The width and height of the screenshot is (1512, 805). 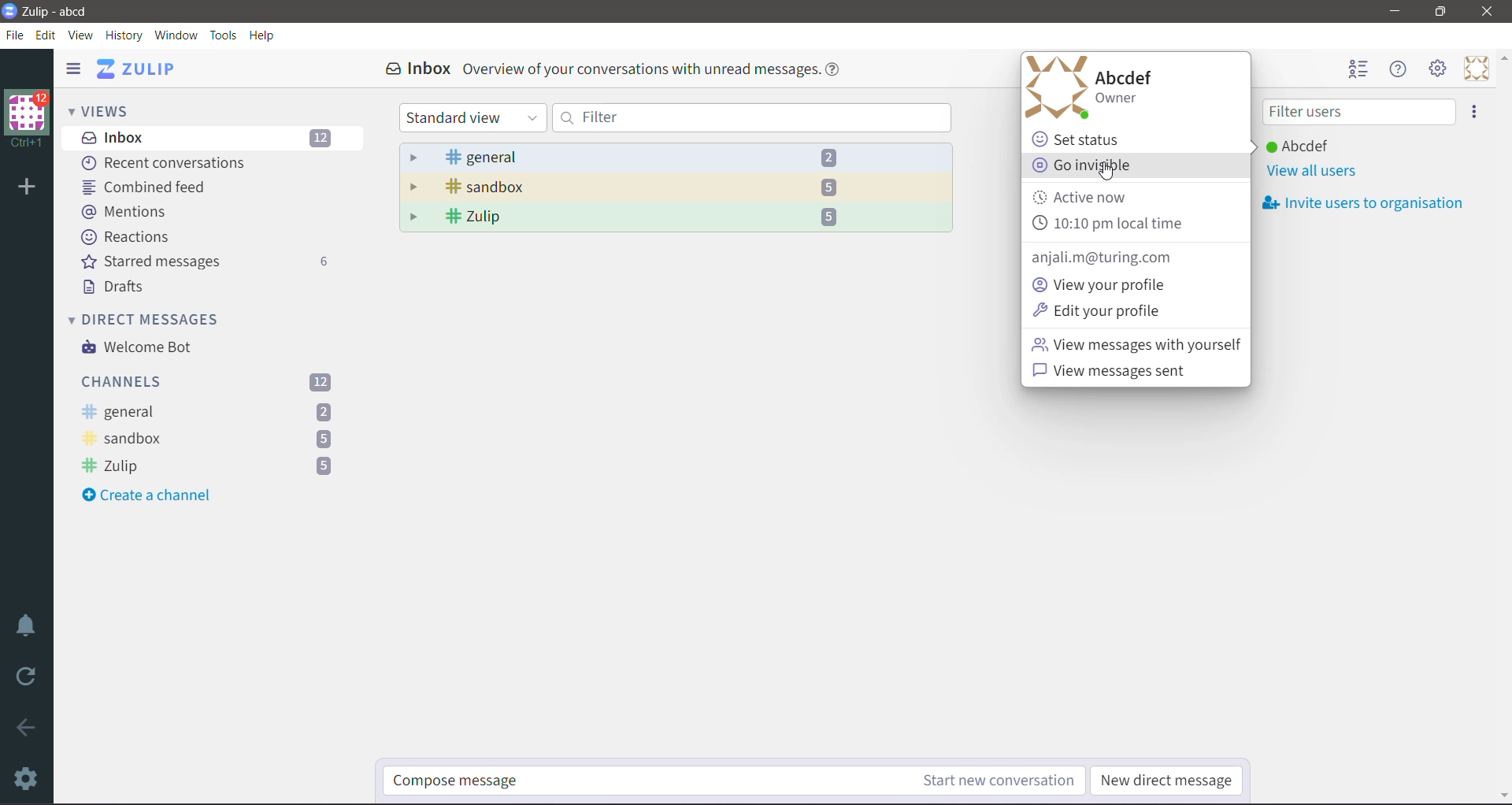 What do you see at coordinates (210, 383) in the screenshot?
I see `Channels - Total unread messages count` at bounding box center [210, 383].